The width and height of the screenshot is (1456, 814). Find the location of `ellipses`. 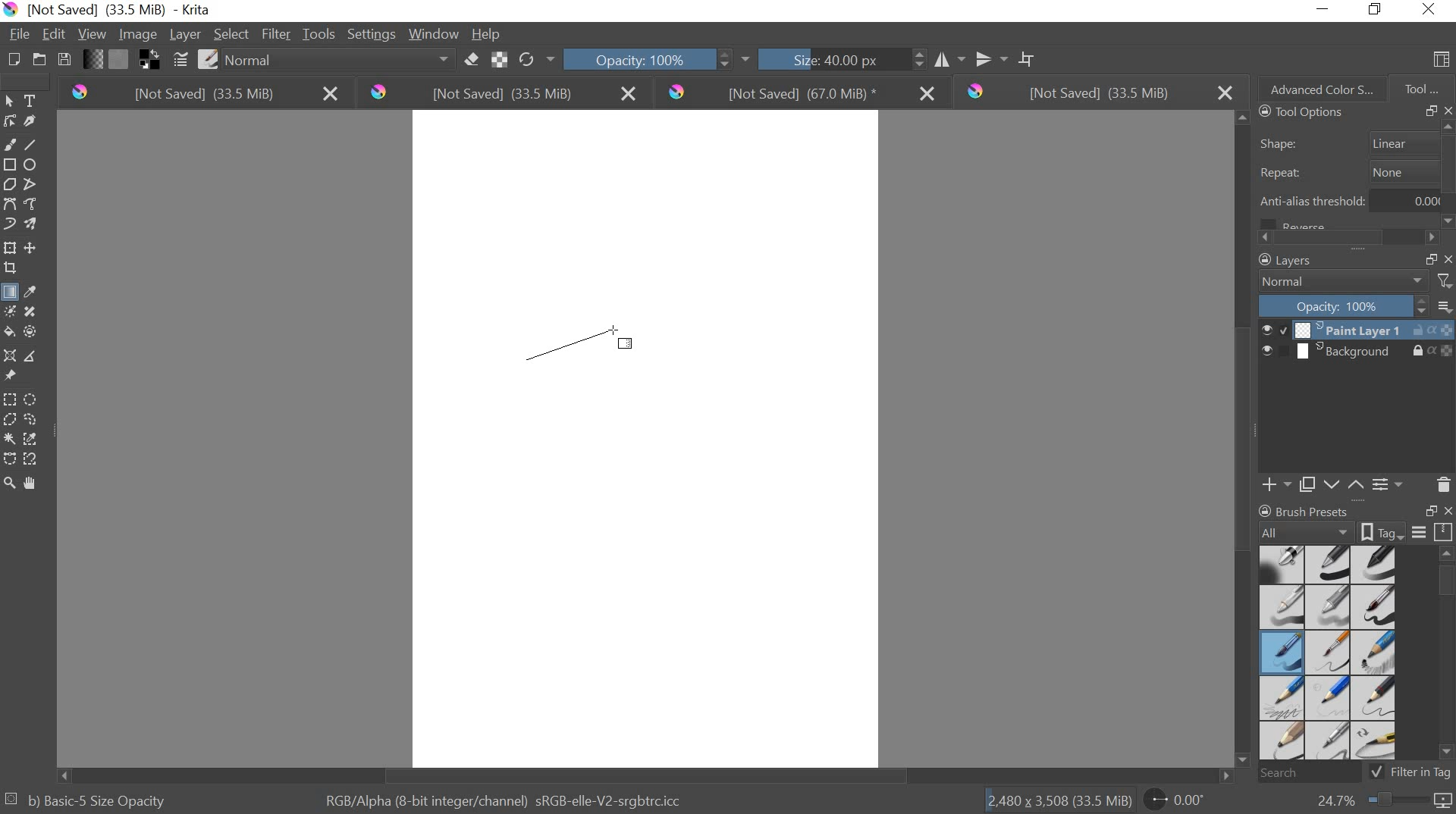

ellipses is located at coordinates (30, 165).